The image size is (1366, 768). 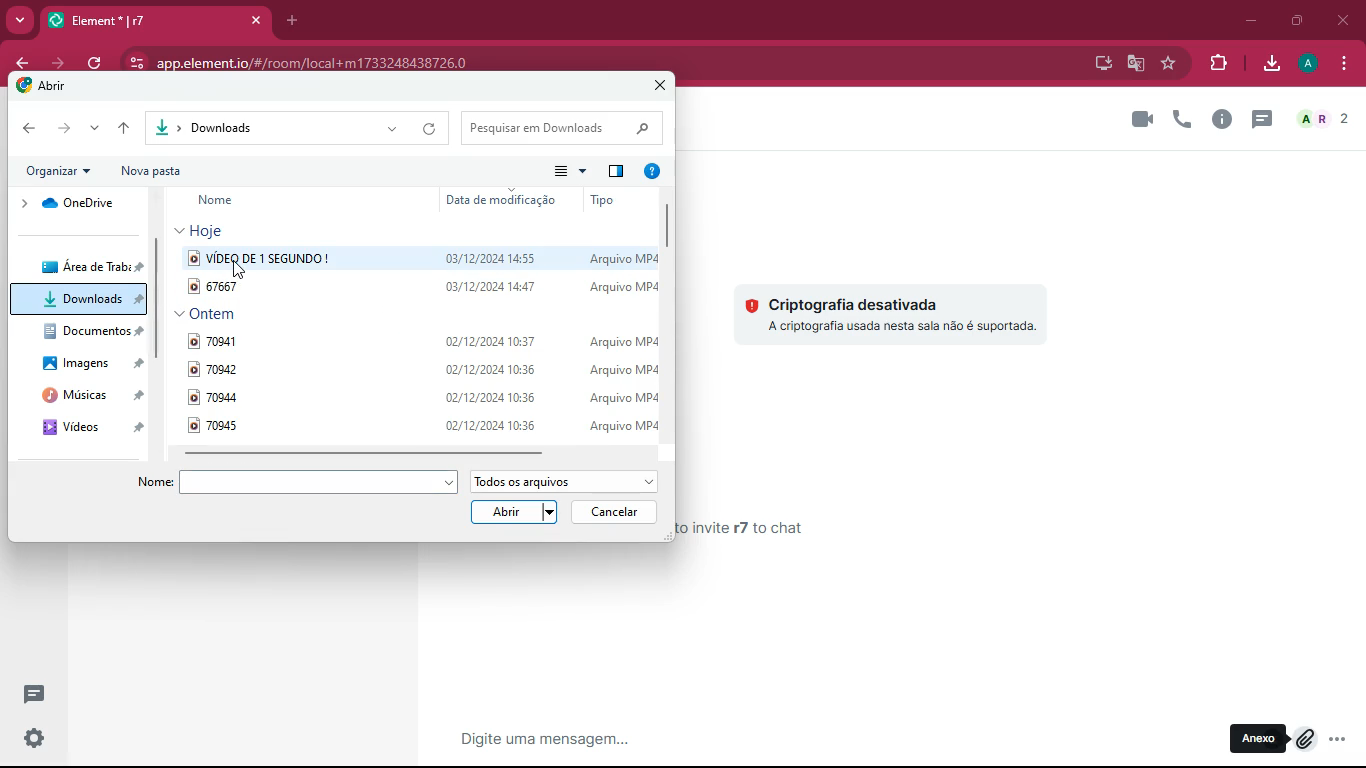 What do you see at coordinates (418, 399) in the screenshot?
I see `70944 02/12/2024 10:36 arquivo mp4` at bounding box center [418, 399].